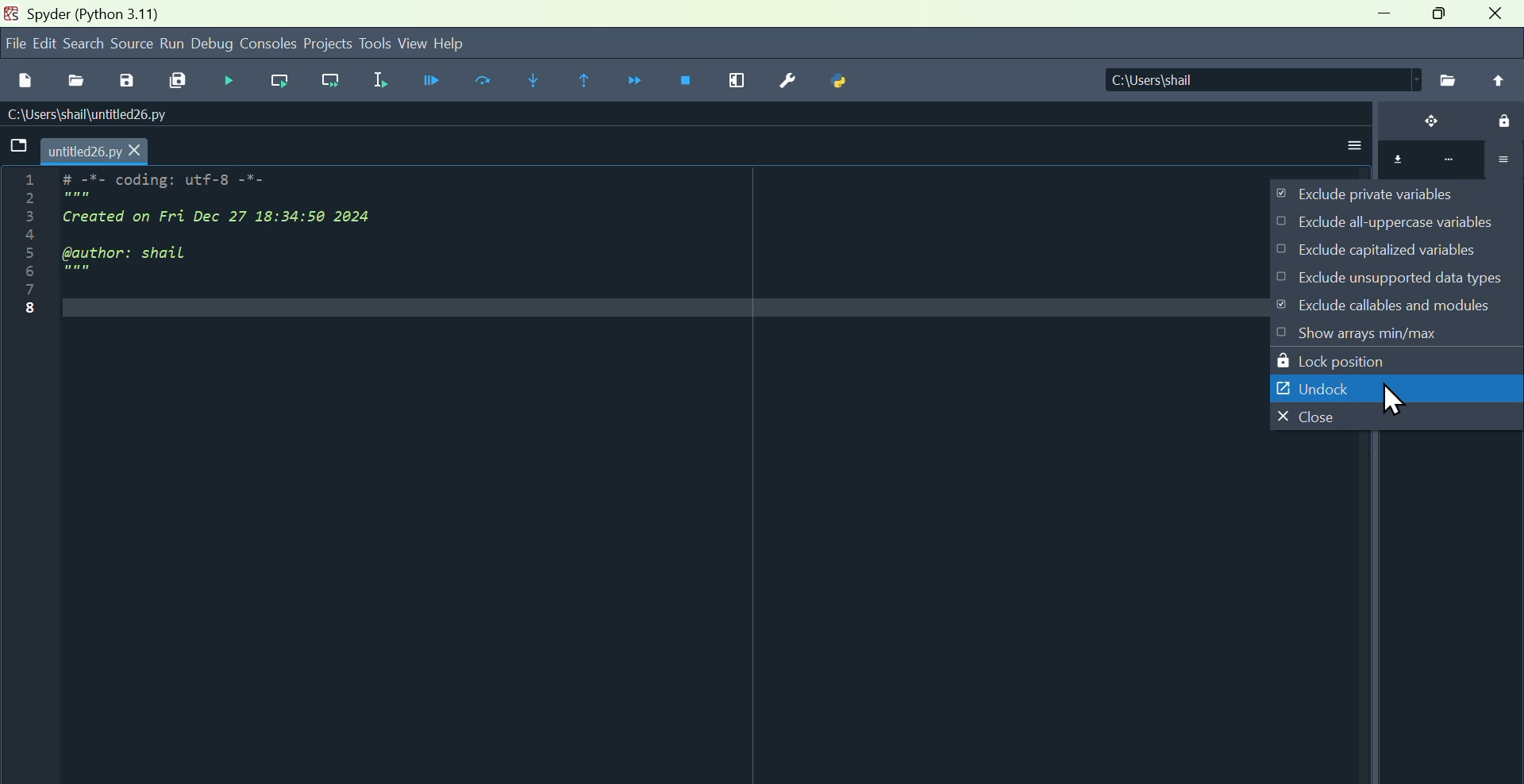 The image size is (1524, 784). I want to click on lock, so click(1497, 119).